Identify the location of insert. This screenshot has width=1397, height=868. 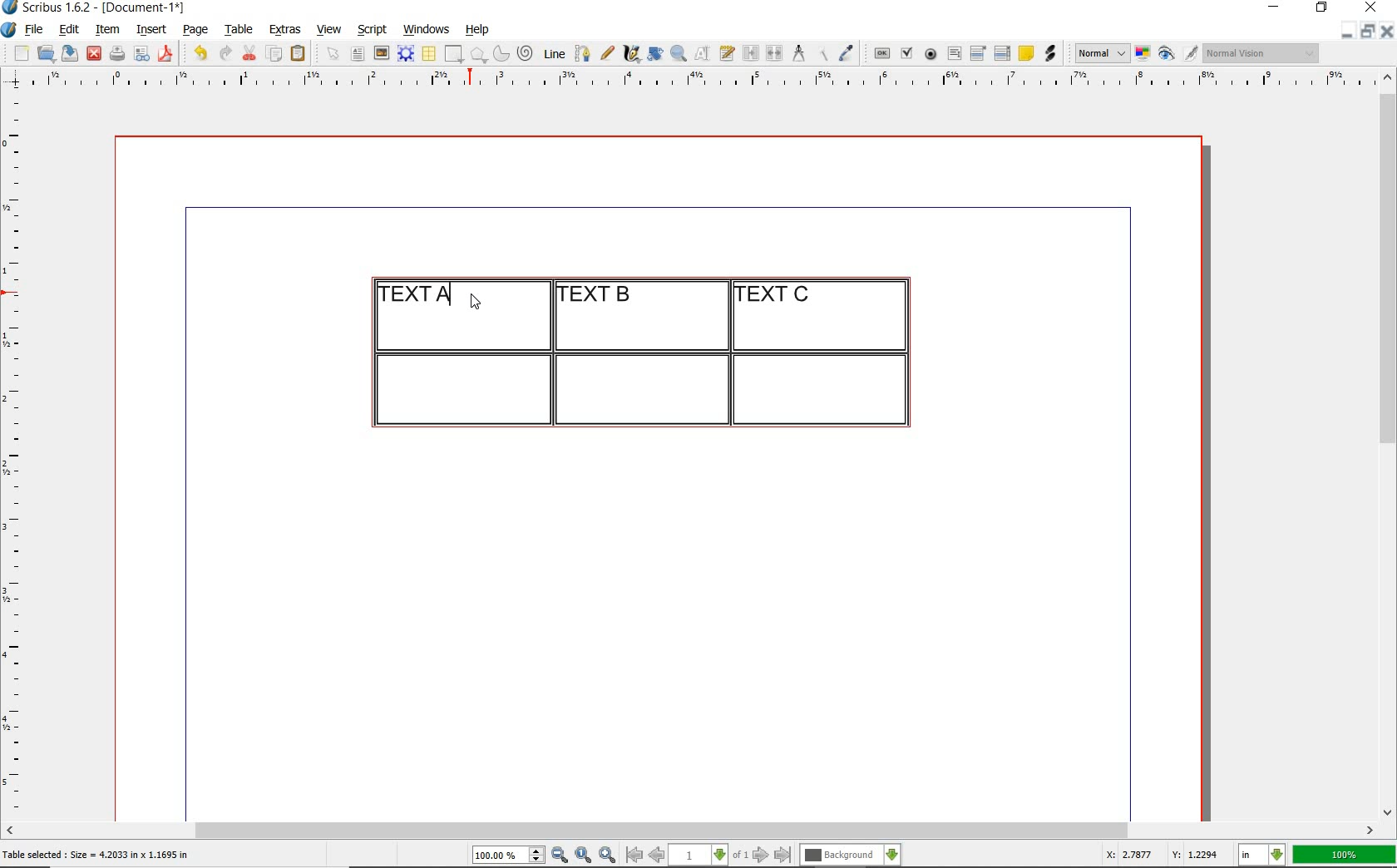
(151, 30).